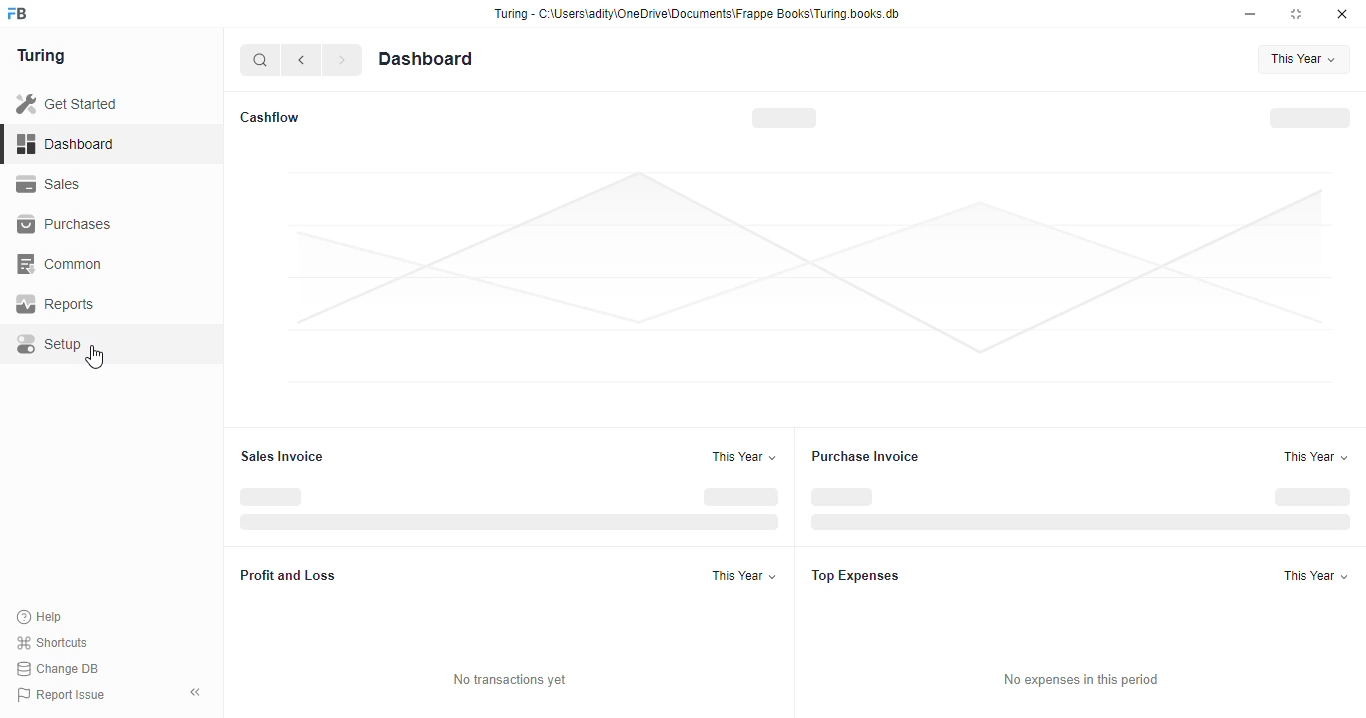 The image size is (1366, 718). Describe the element at coordinates (1080, 678) in the screenshot. I see `No expenses in this period` at that location.